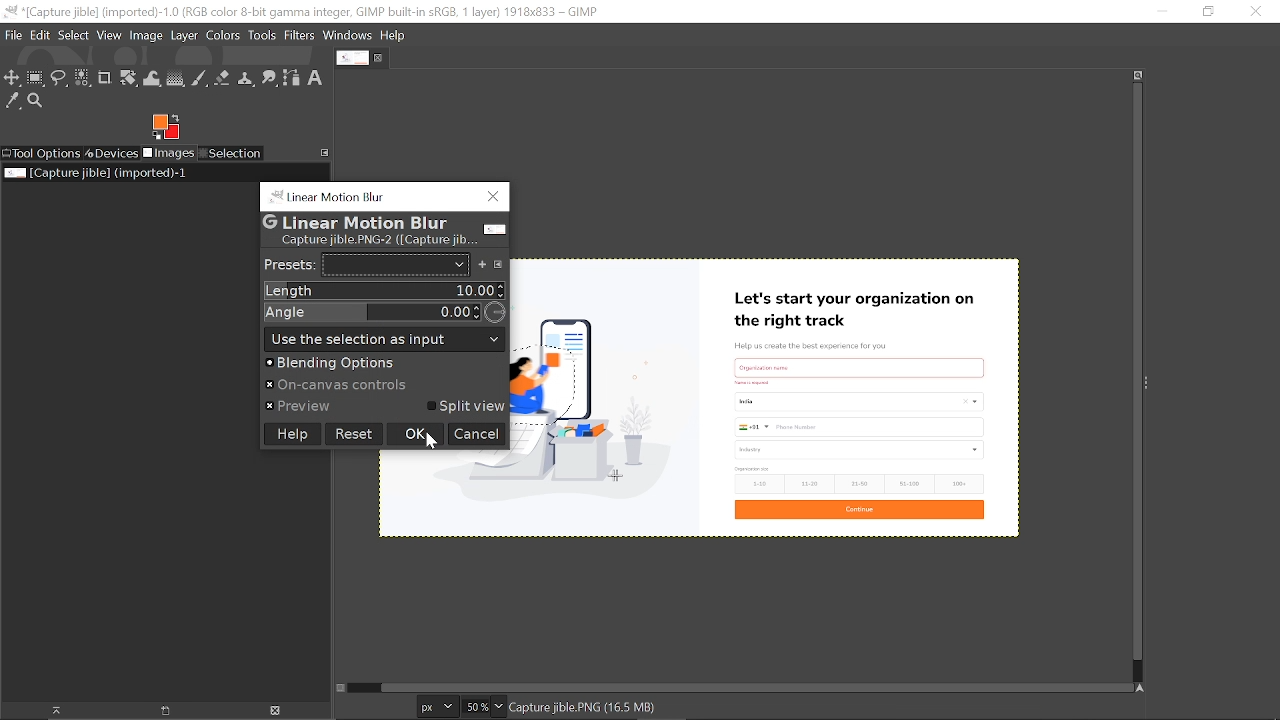 The width and height of the screenshot is (1280, 720). I want to click on Eraser tool, so click(222, 78).